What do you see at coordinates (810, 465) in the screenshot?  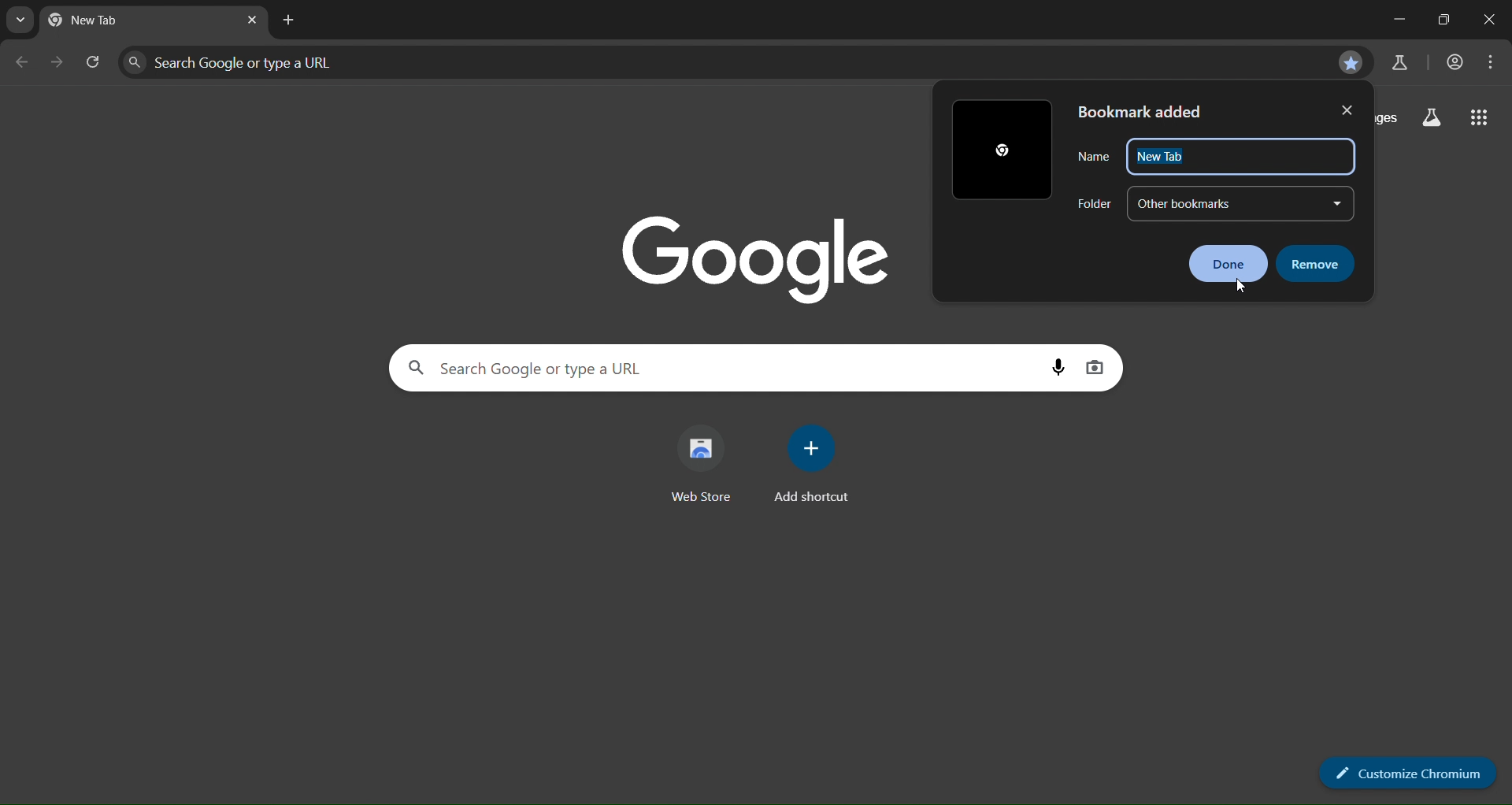 I see `add shortcut` at bounding box center [810, 465].